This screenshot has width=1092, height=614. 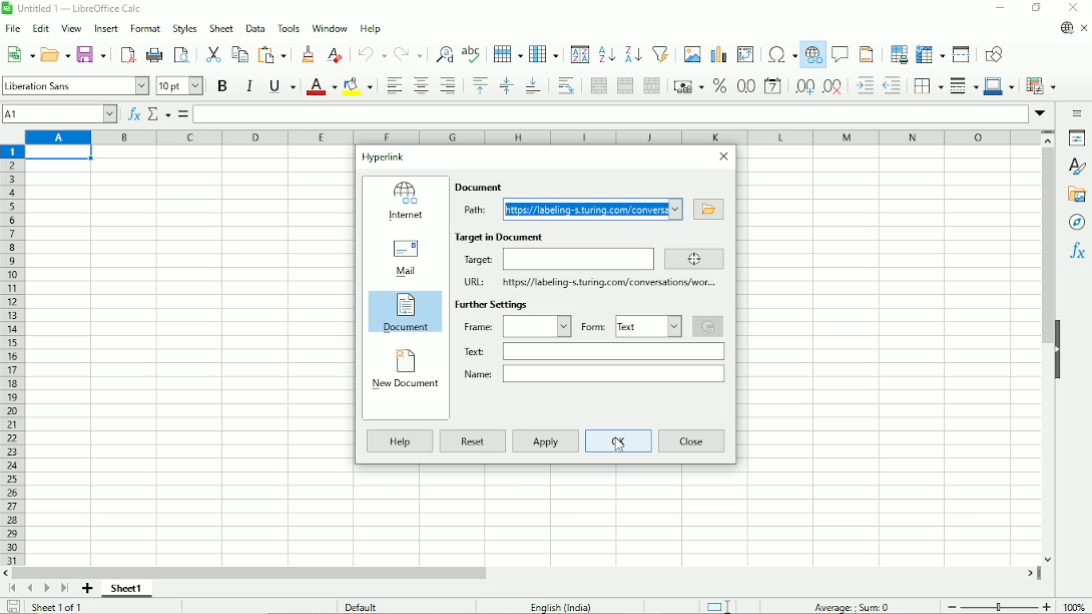 I want to click on Wrap text, so click(x=564, y=86).